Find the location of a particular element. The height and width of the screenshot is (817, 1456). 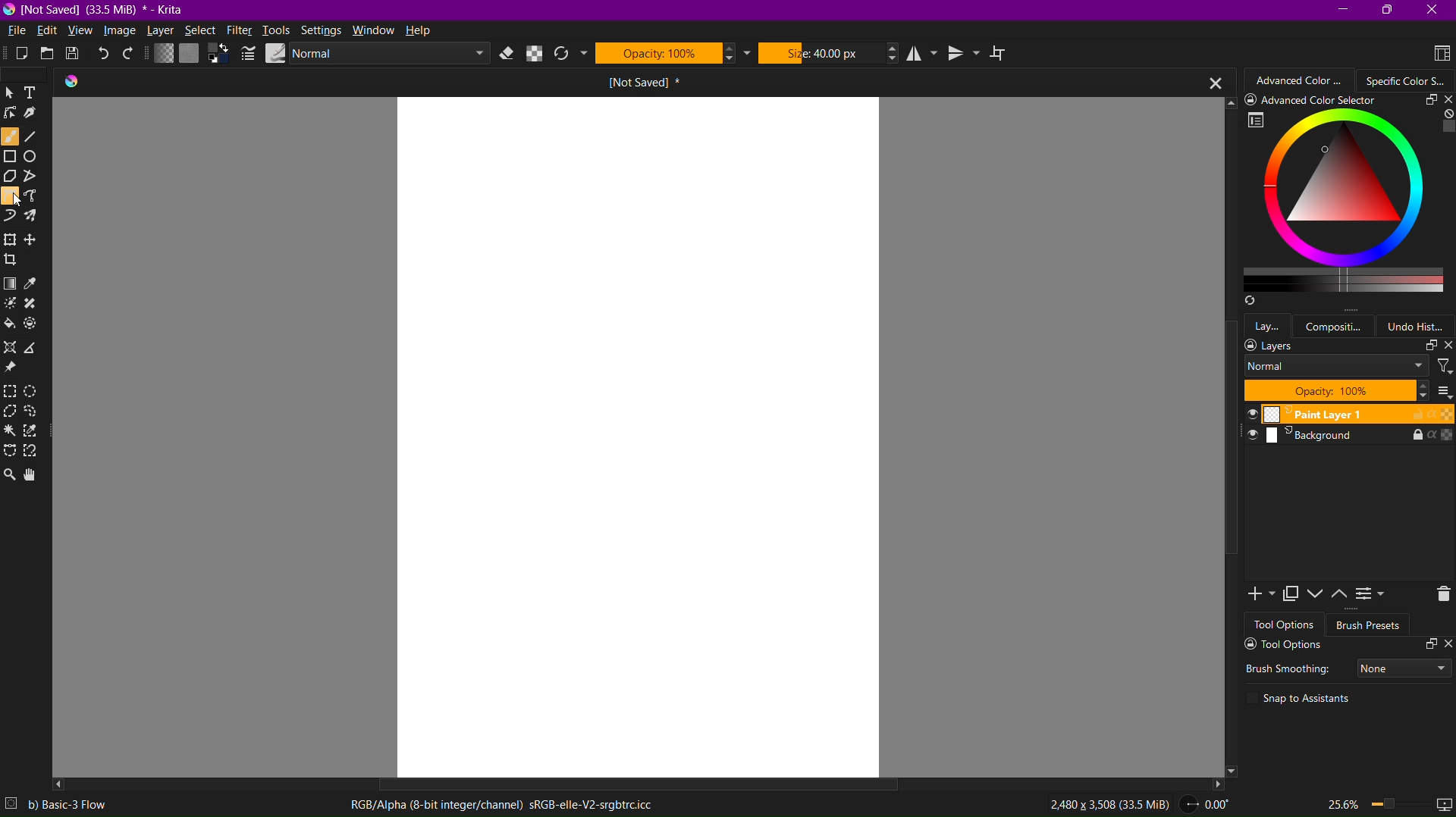

Wrap Around Mode is located at coordinates (1004, 55).